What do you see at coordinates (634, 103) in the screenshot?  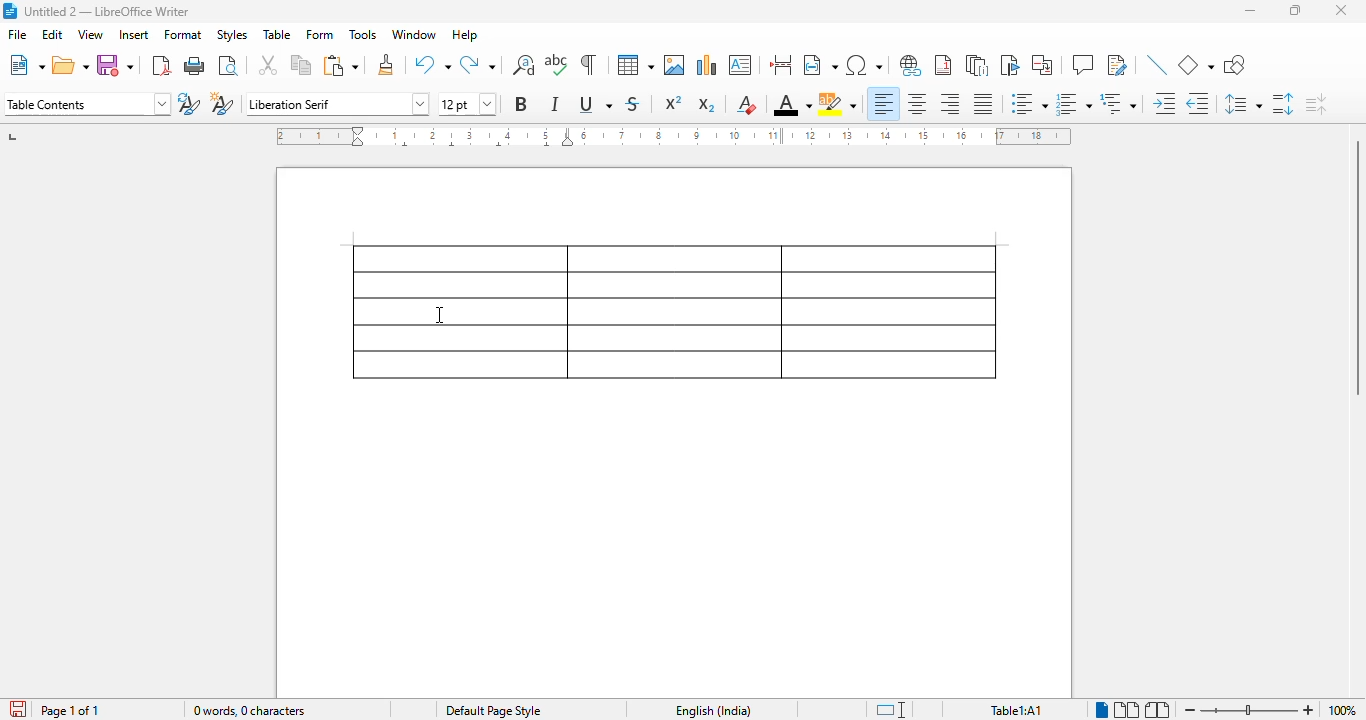 I see `strikethrough` at bounding box center [634, 103].